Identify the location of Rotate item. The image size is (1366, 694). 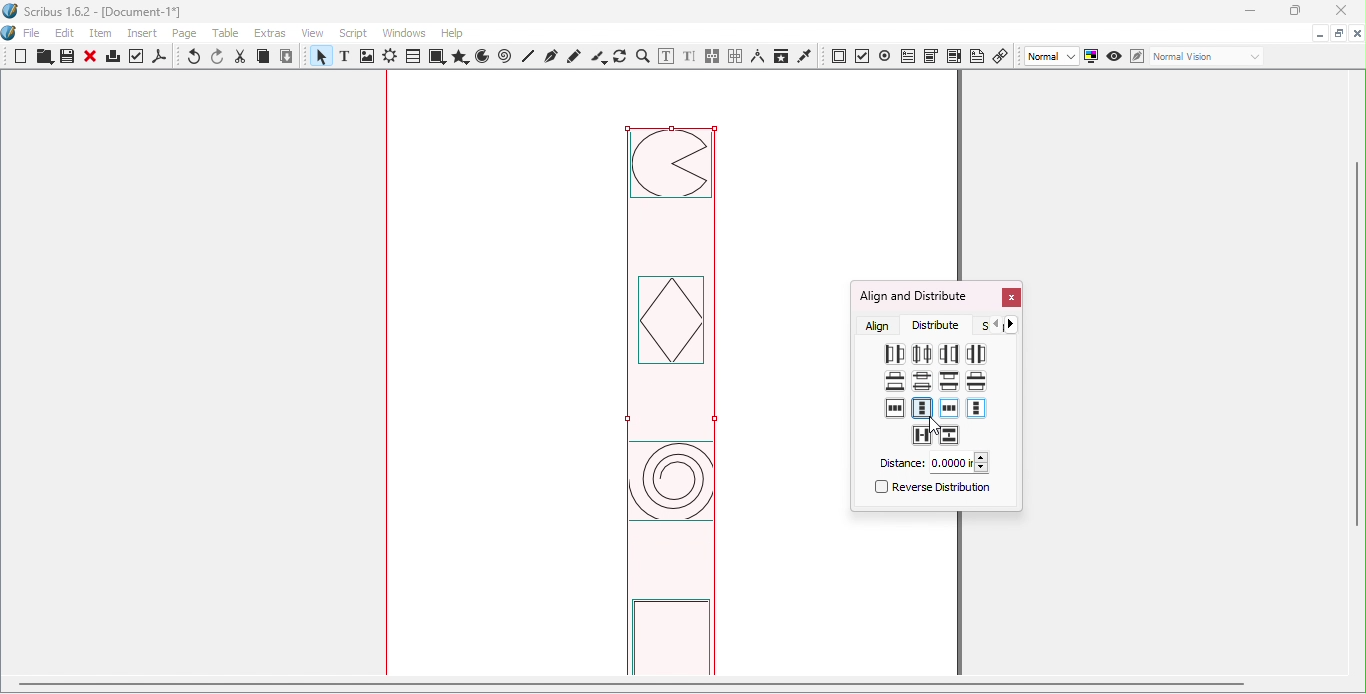
(620, 56).